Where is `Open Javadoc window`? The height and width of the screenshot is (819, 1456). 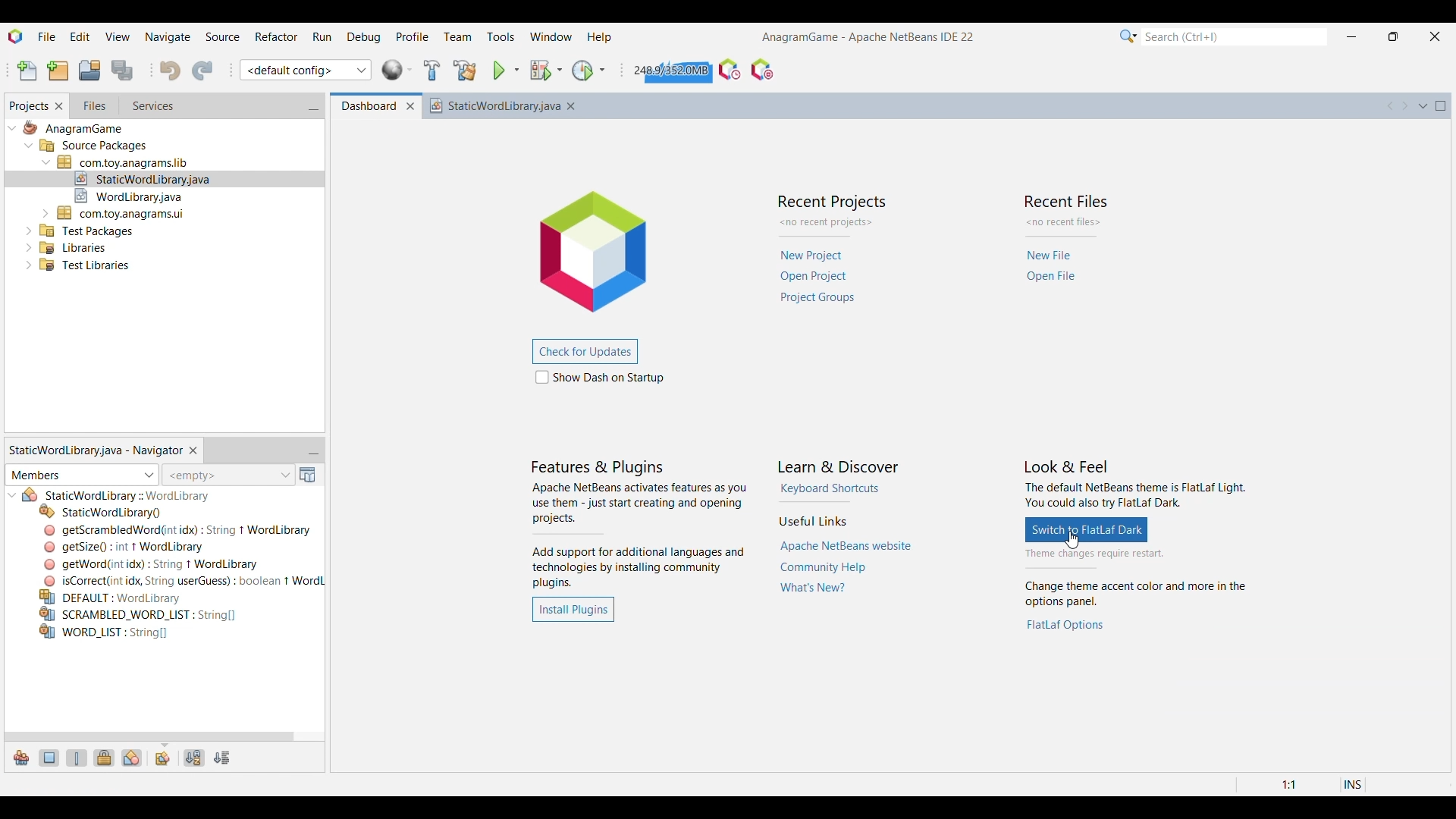 Open Javadoc window is located at coordinates (308, 475).